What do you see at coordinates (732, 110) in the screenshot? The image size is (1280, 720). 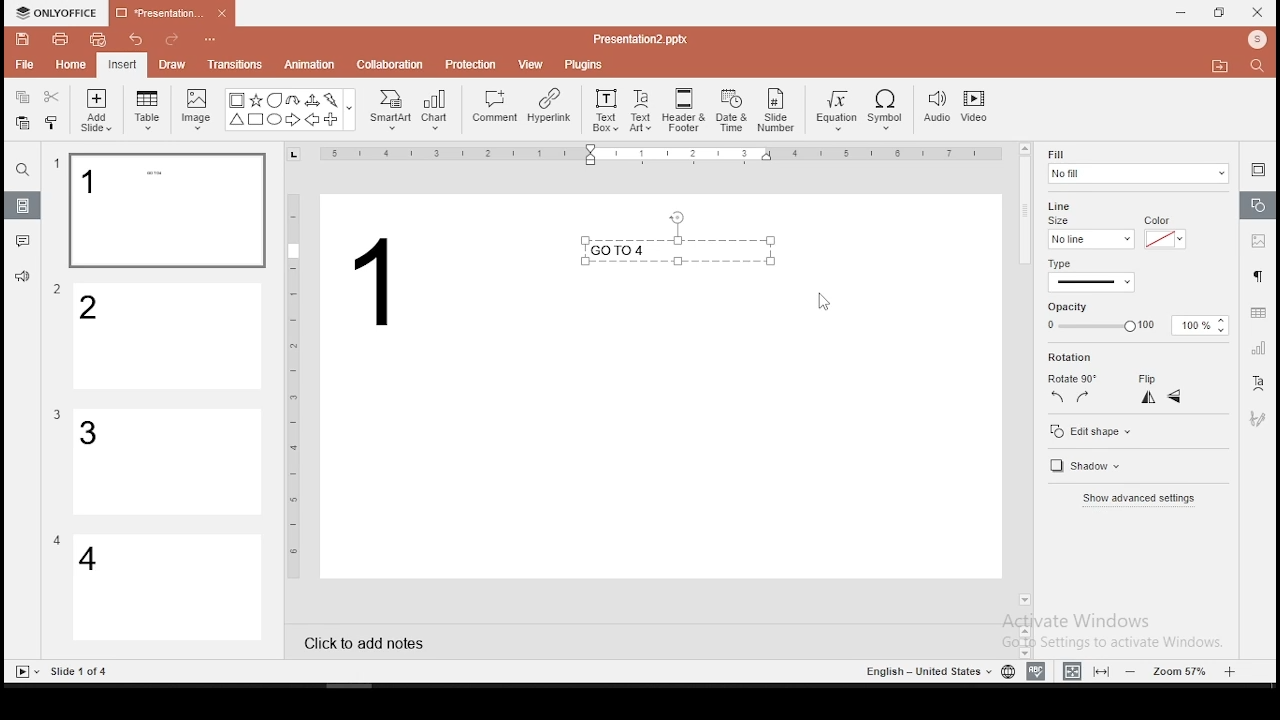 I see `date and time` at bounding box center [732, 110].